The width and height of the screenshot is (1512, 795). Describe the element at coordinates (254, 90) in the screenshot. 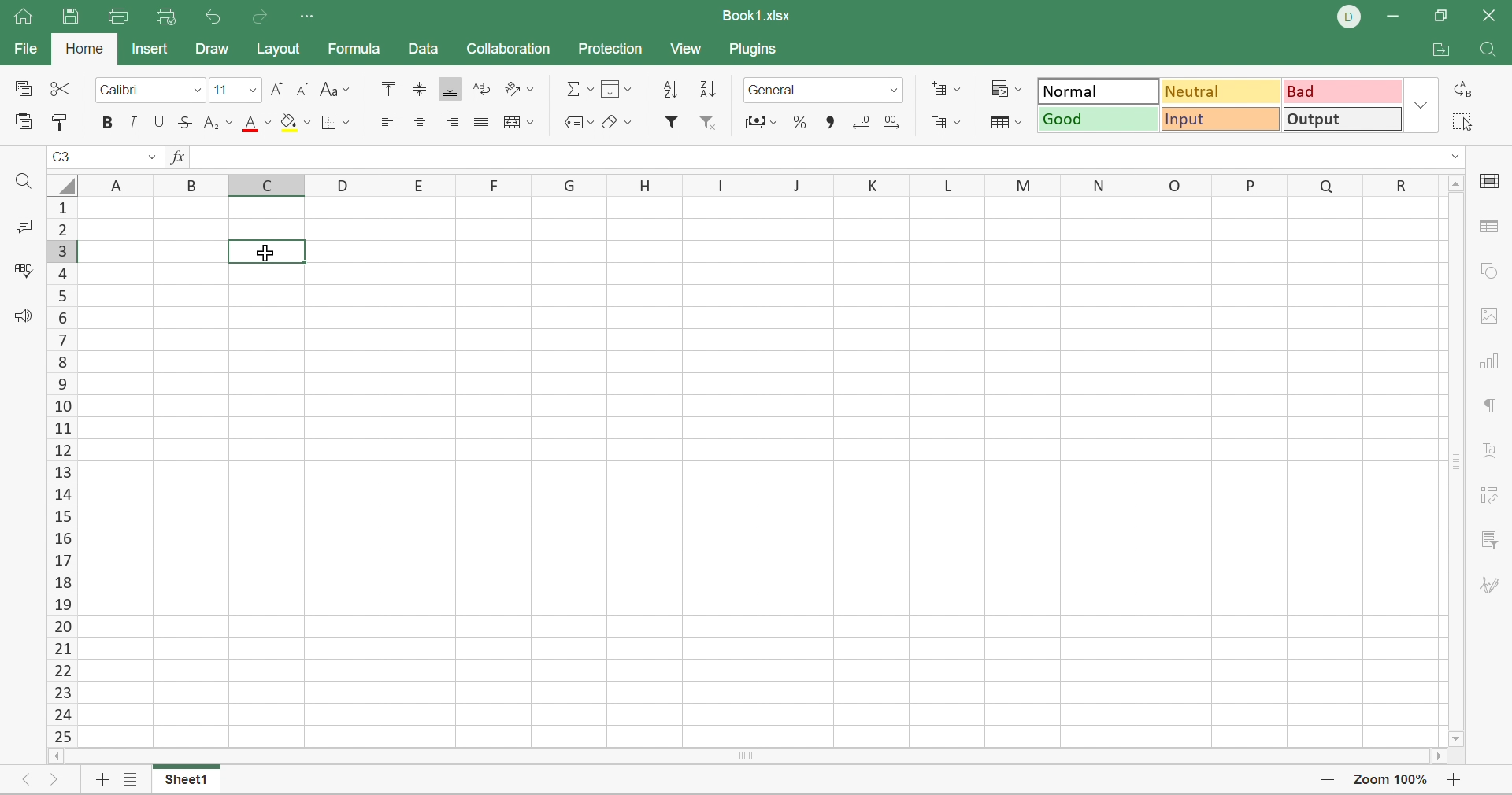

I see `Drop Down` at that location.